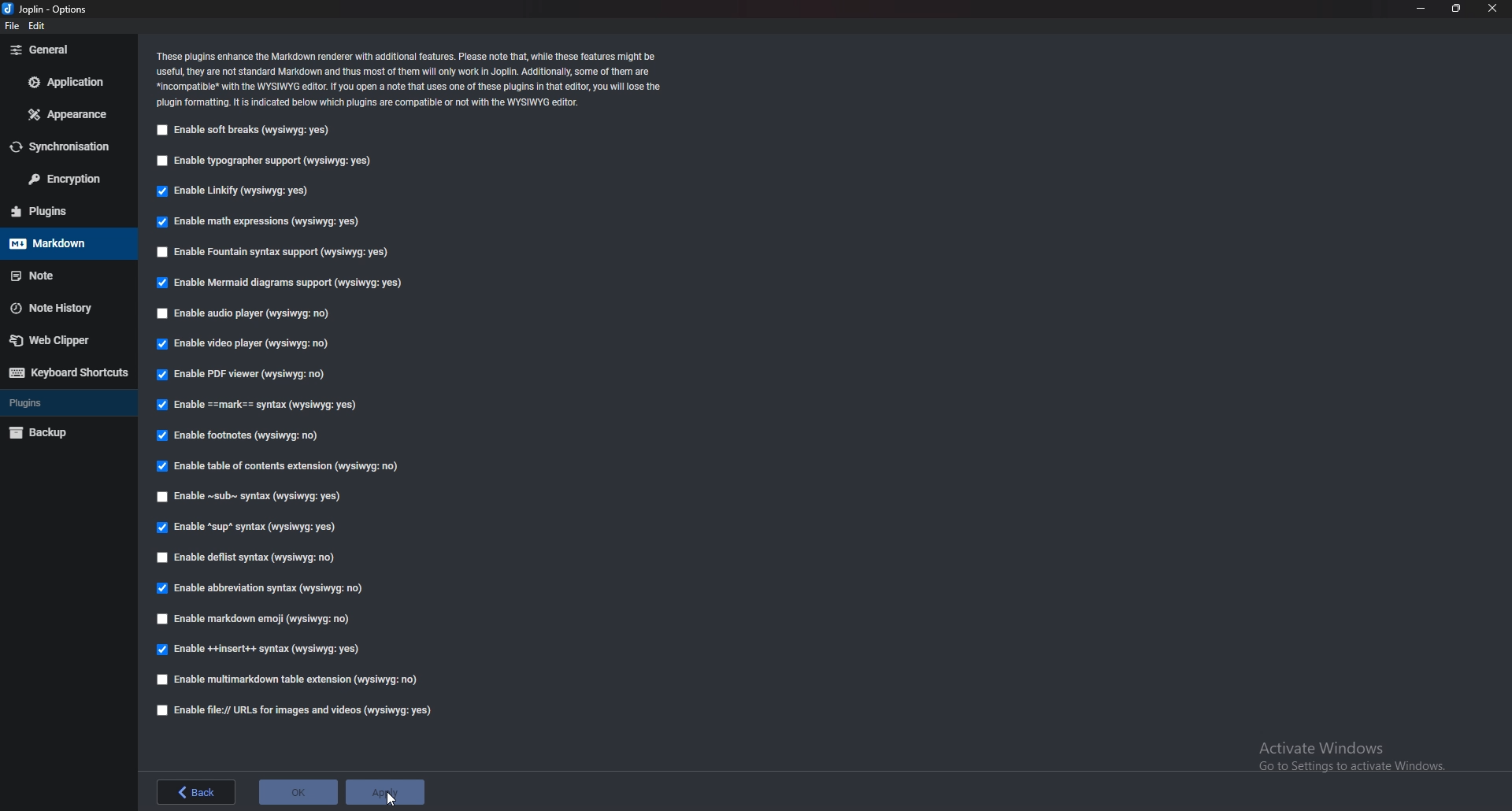 Image resolution: width=1512 pixels, height=811 pixels. What do you see at coordinates (47, 9) in the screenshot?
I see `options` at bounding box center [47, 9].